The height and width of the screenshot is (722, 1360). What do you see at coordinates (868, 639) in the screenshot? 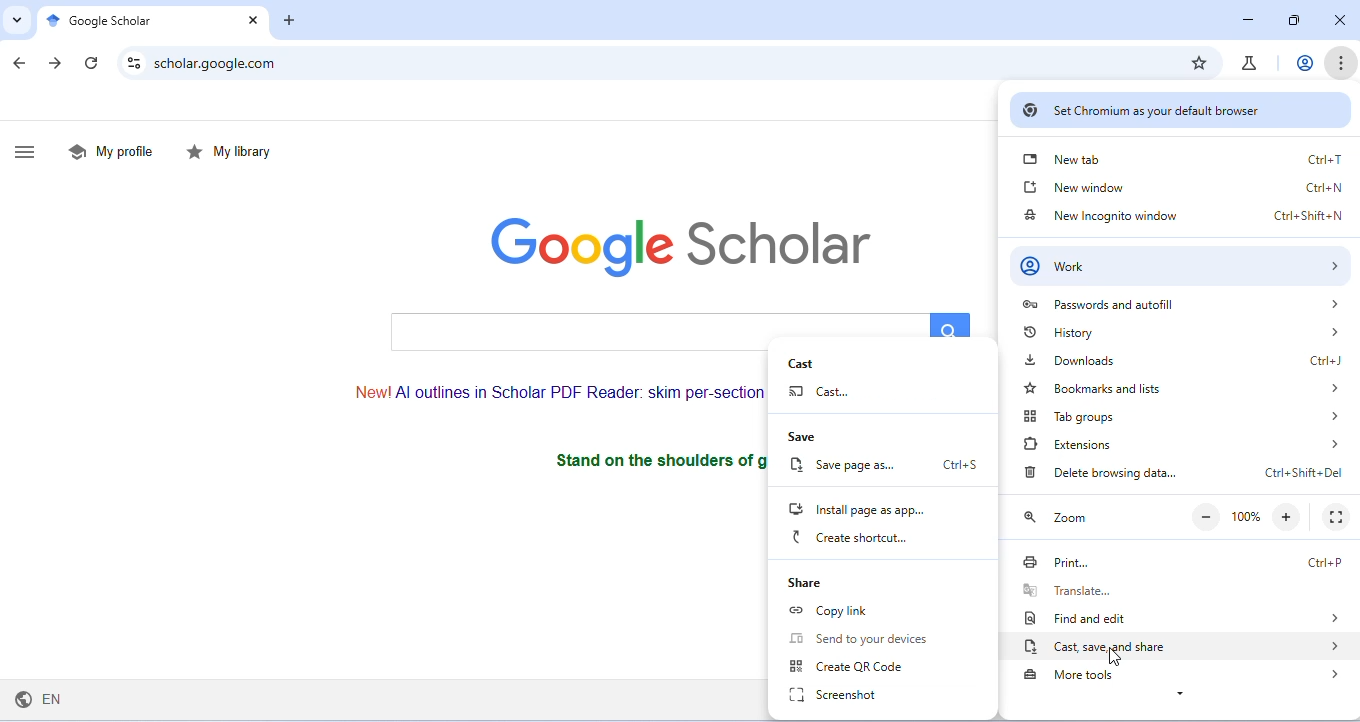
I see `send to devices` at bounding box center [868, 639].